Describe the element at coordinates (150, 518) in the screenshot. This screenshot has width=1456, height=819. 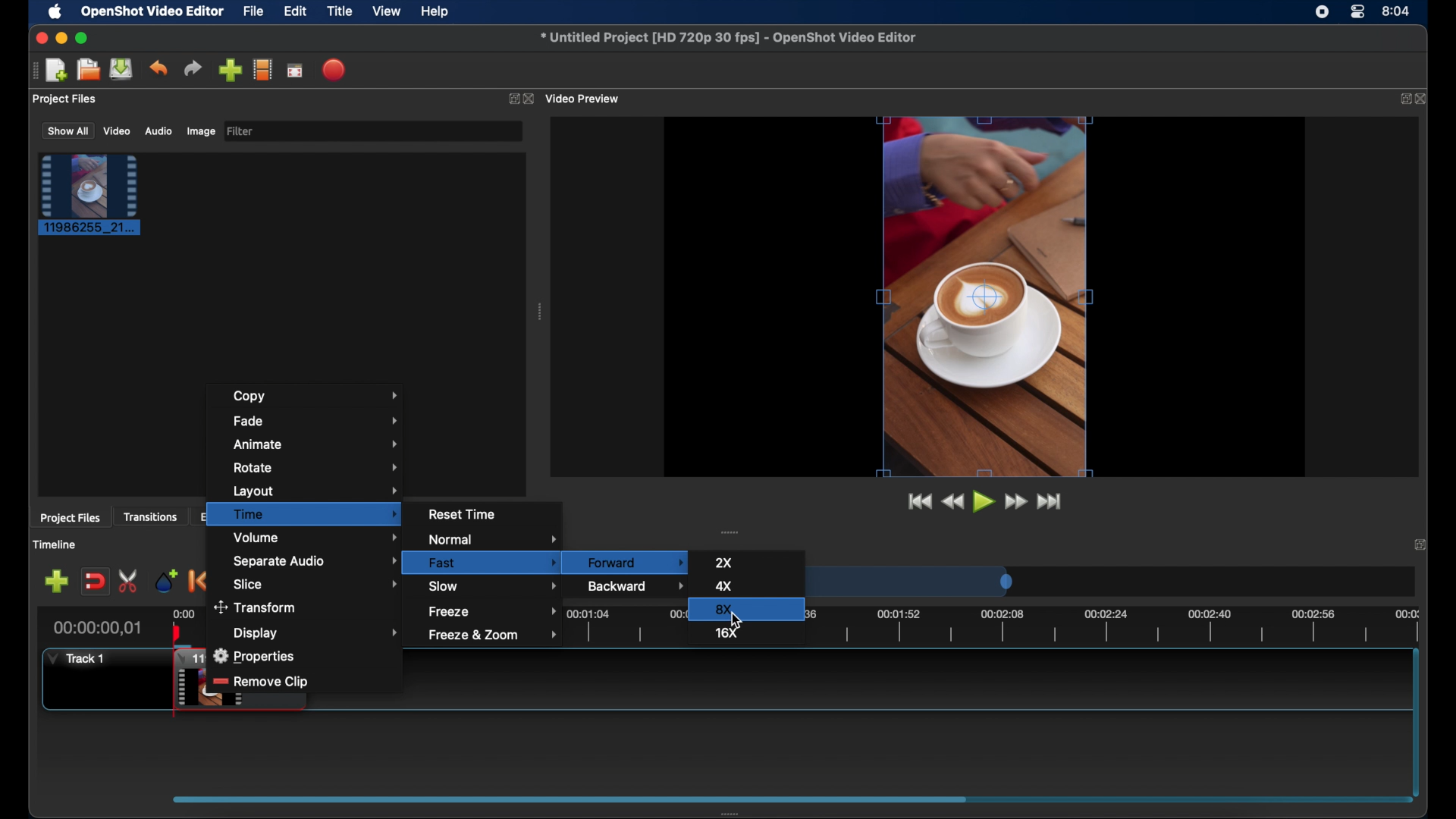
I see `transitions` at that location.